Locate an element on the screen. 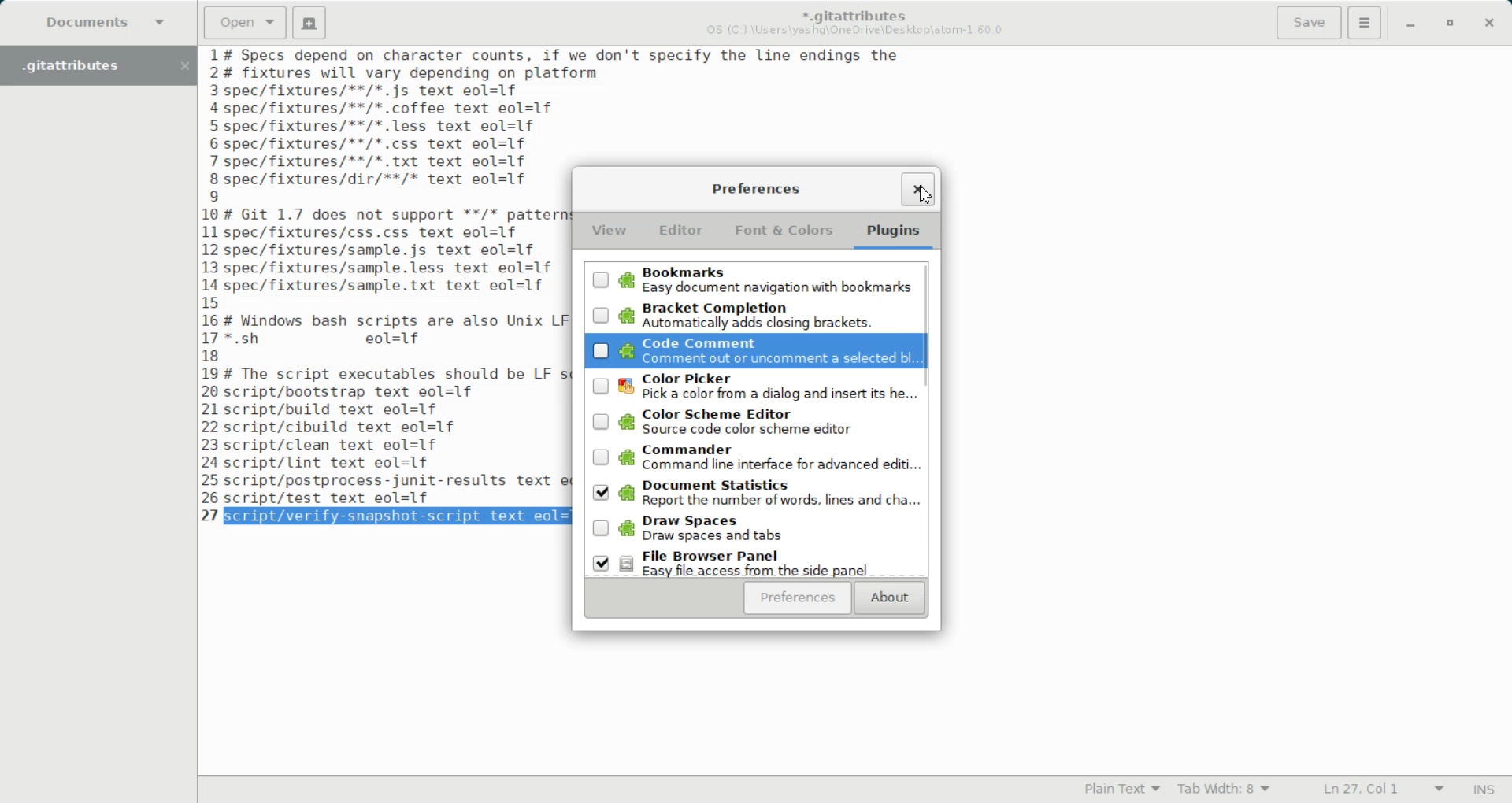  Minimize is located at coordinates (1410, 25).